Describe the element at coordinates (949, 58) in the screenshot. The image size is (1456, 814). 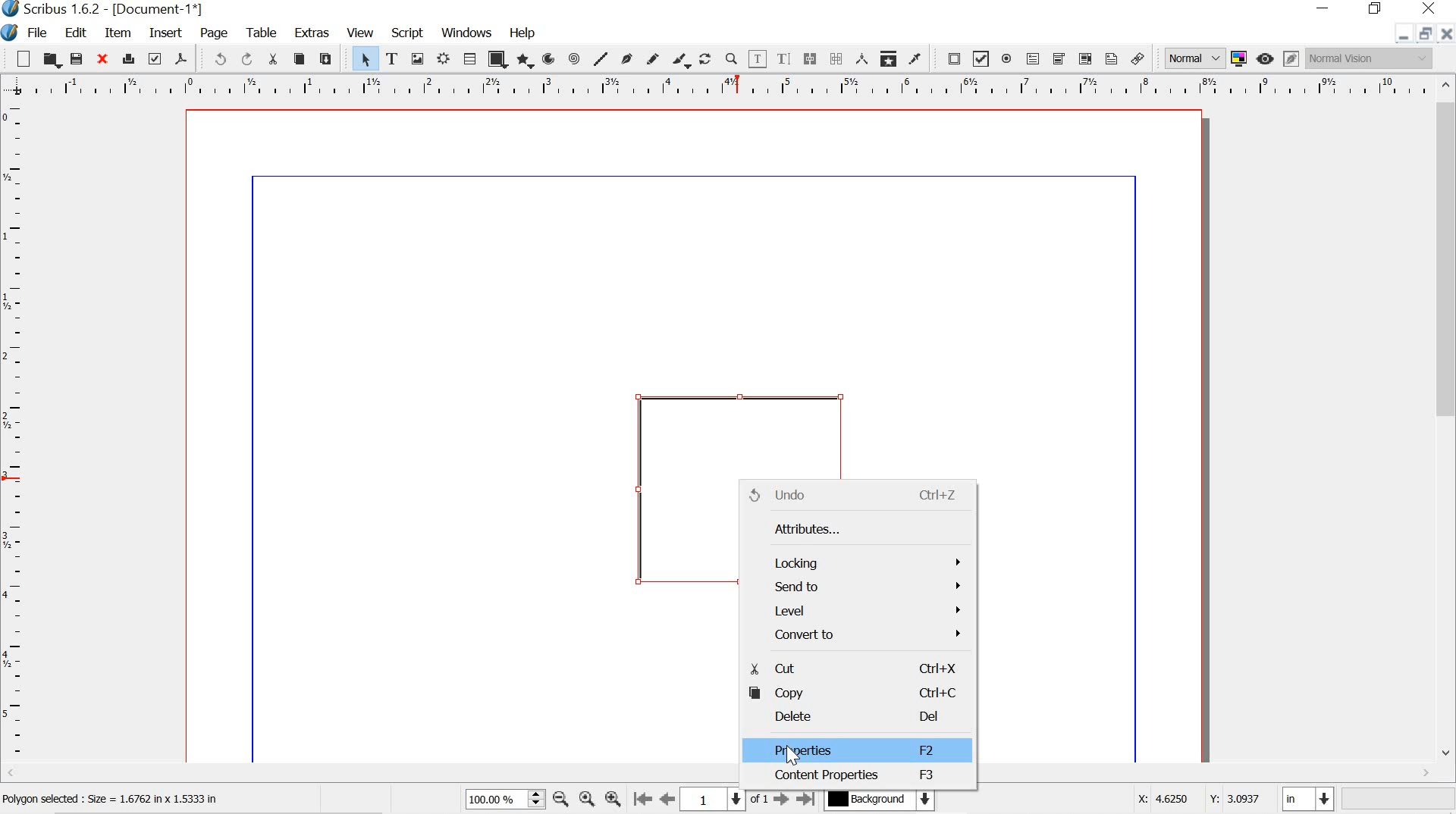
I see `pdf push button` at that location.